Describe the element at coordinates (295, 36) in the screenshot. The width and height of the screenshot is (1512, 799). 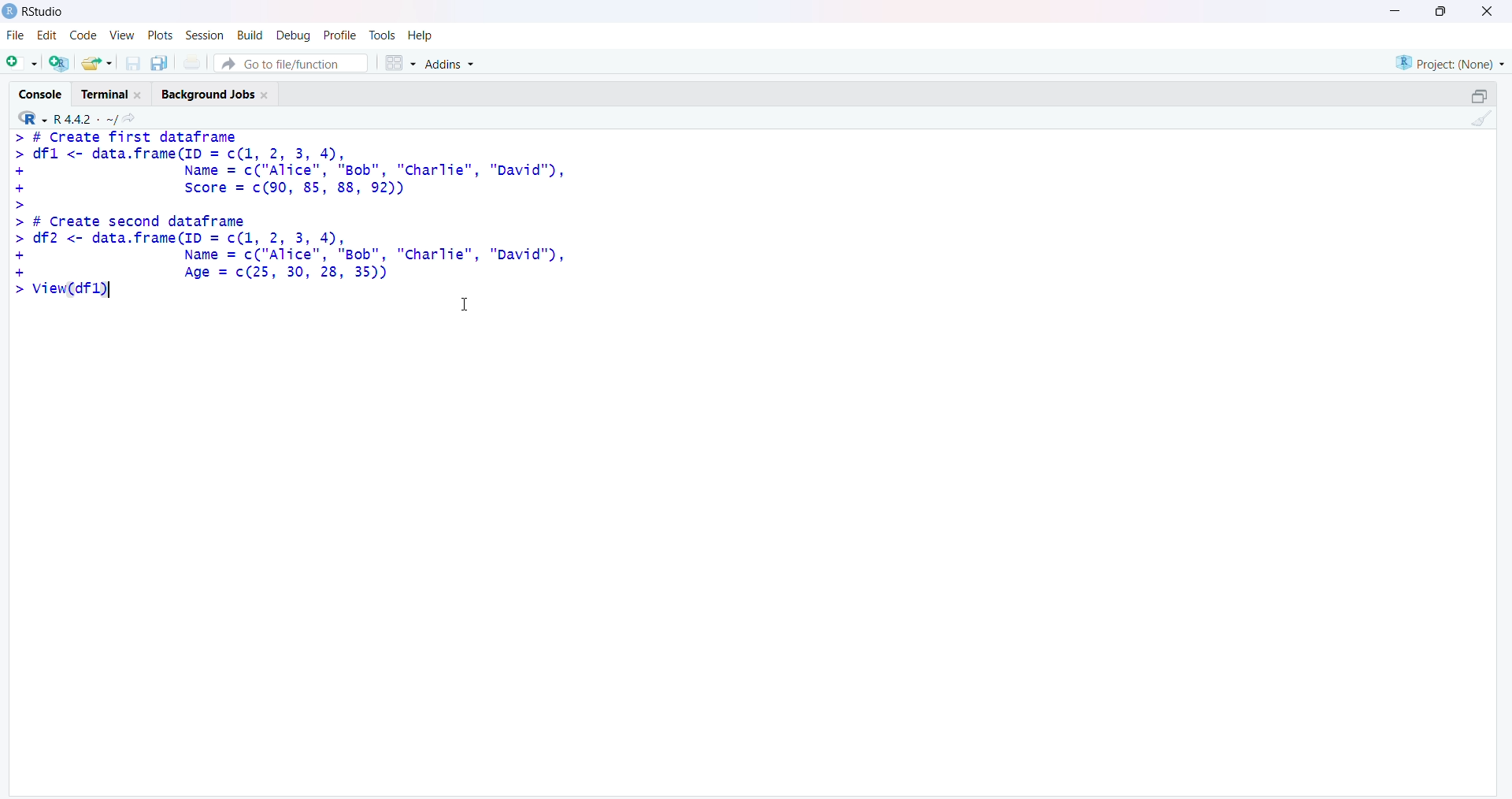
I see `debug` at that location.